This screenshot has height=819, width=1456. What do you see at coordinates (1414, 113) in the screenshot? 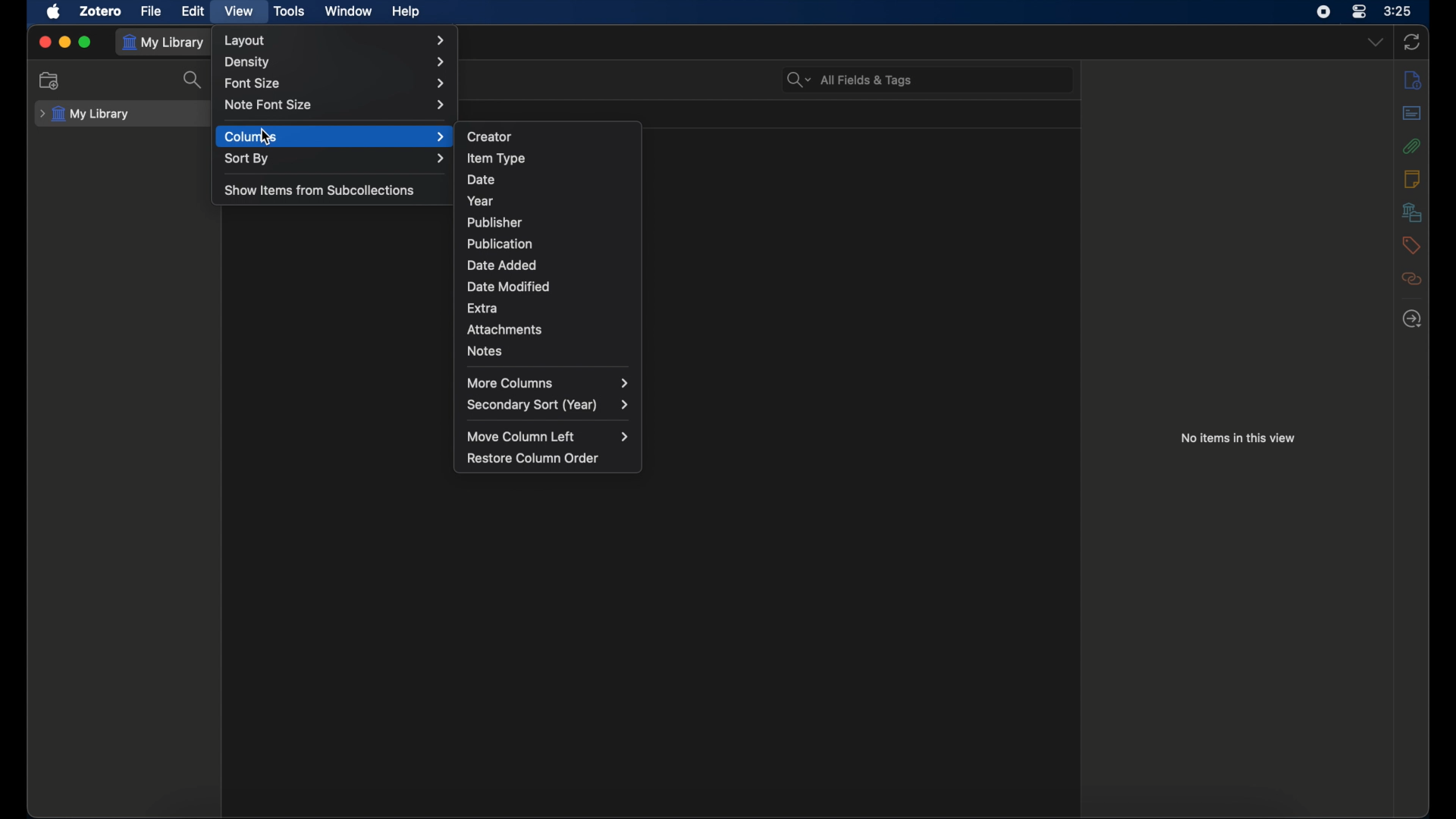
I see `abstract` at bounding box center [1414, 113].